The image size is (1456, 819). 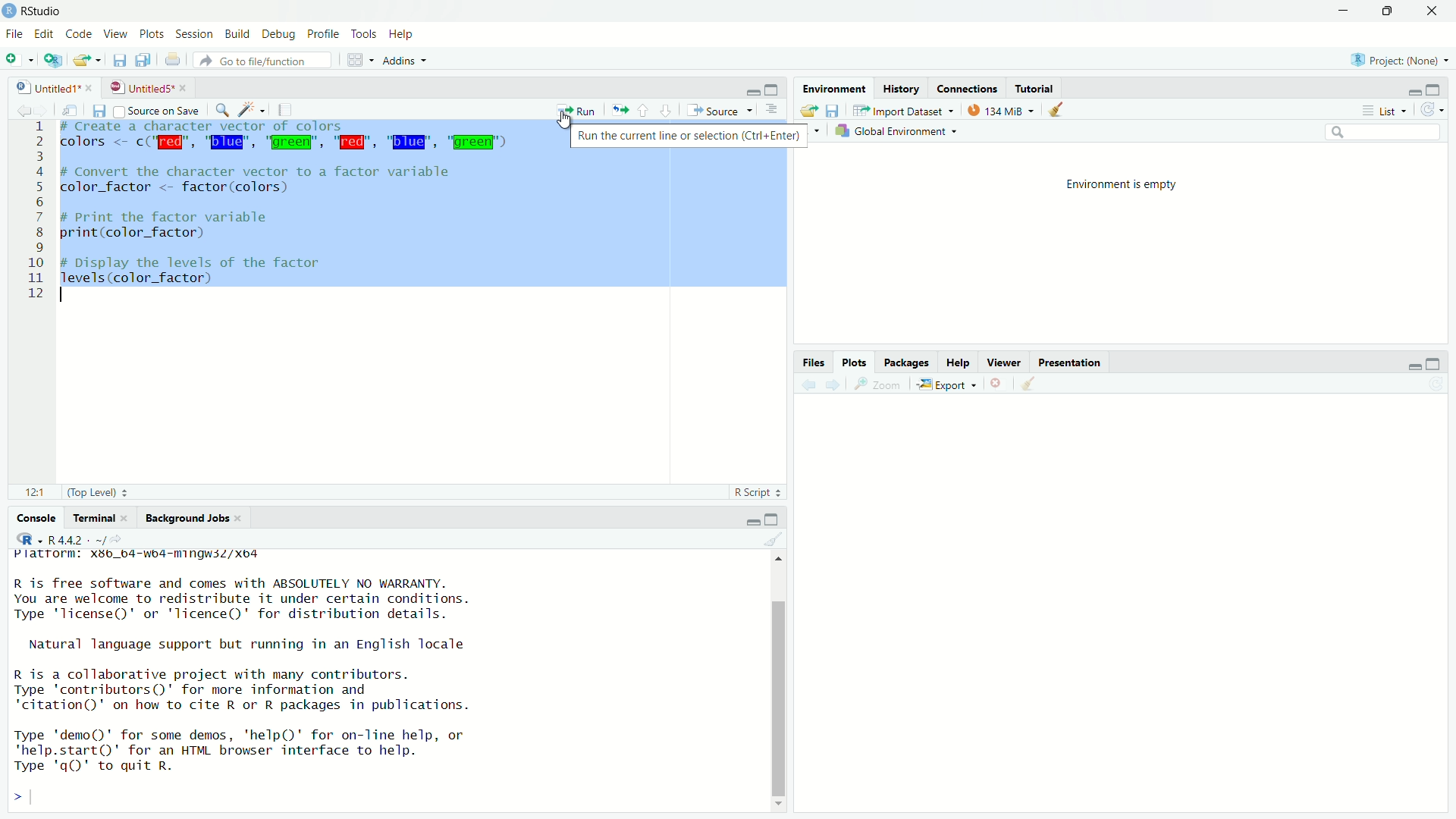 I want to click on build, so click(x=239, y=33).